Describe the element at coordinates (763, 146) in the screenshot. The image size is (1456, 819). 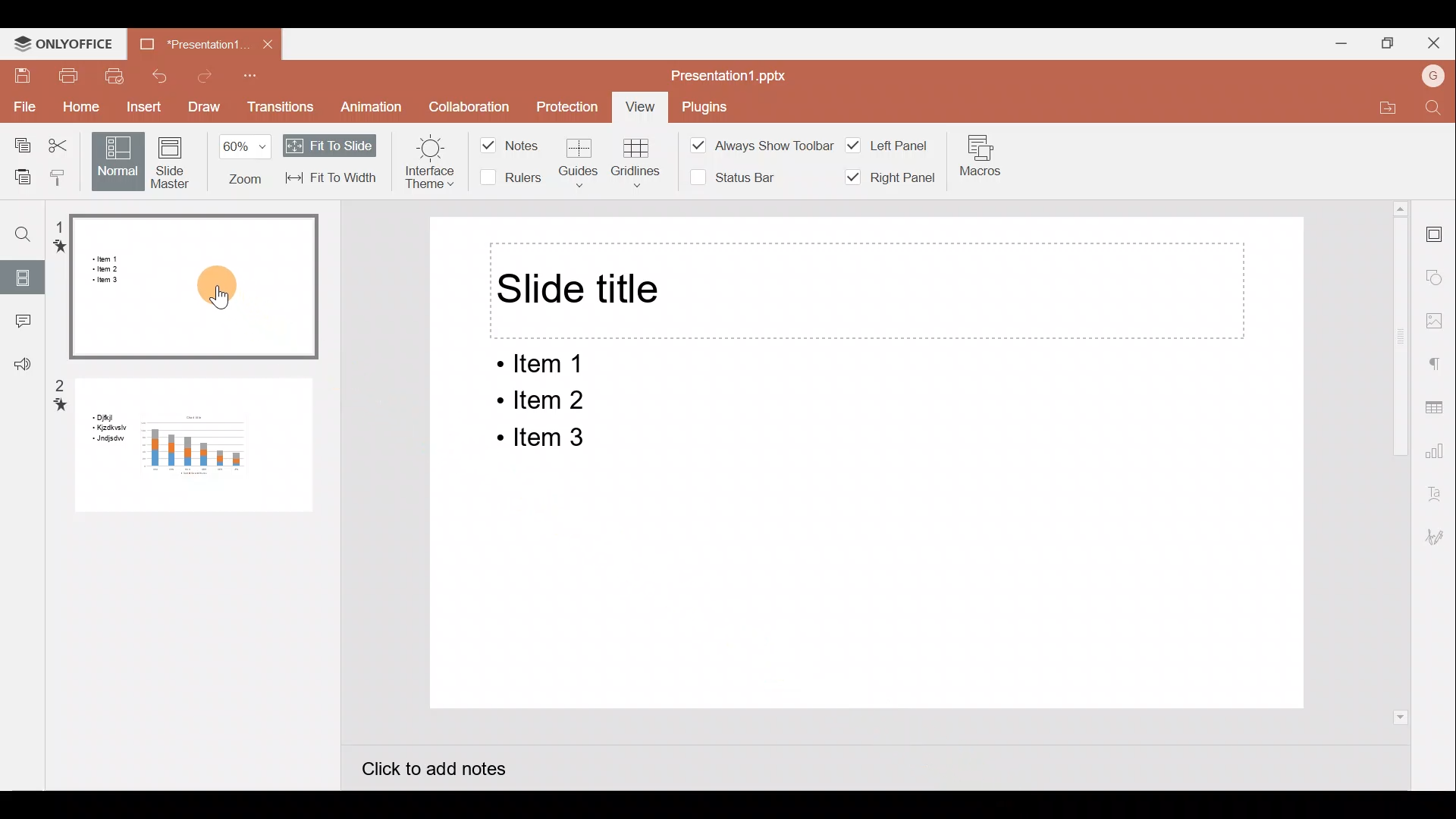
I see `Always show toolbar` at that location.